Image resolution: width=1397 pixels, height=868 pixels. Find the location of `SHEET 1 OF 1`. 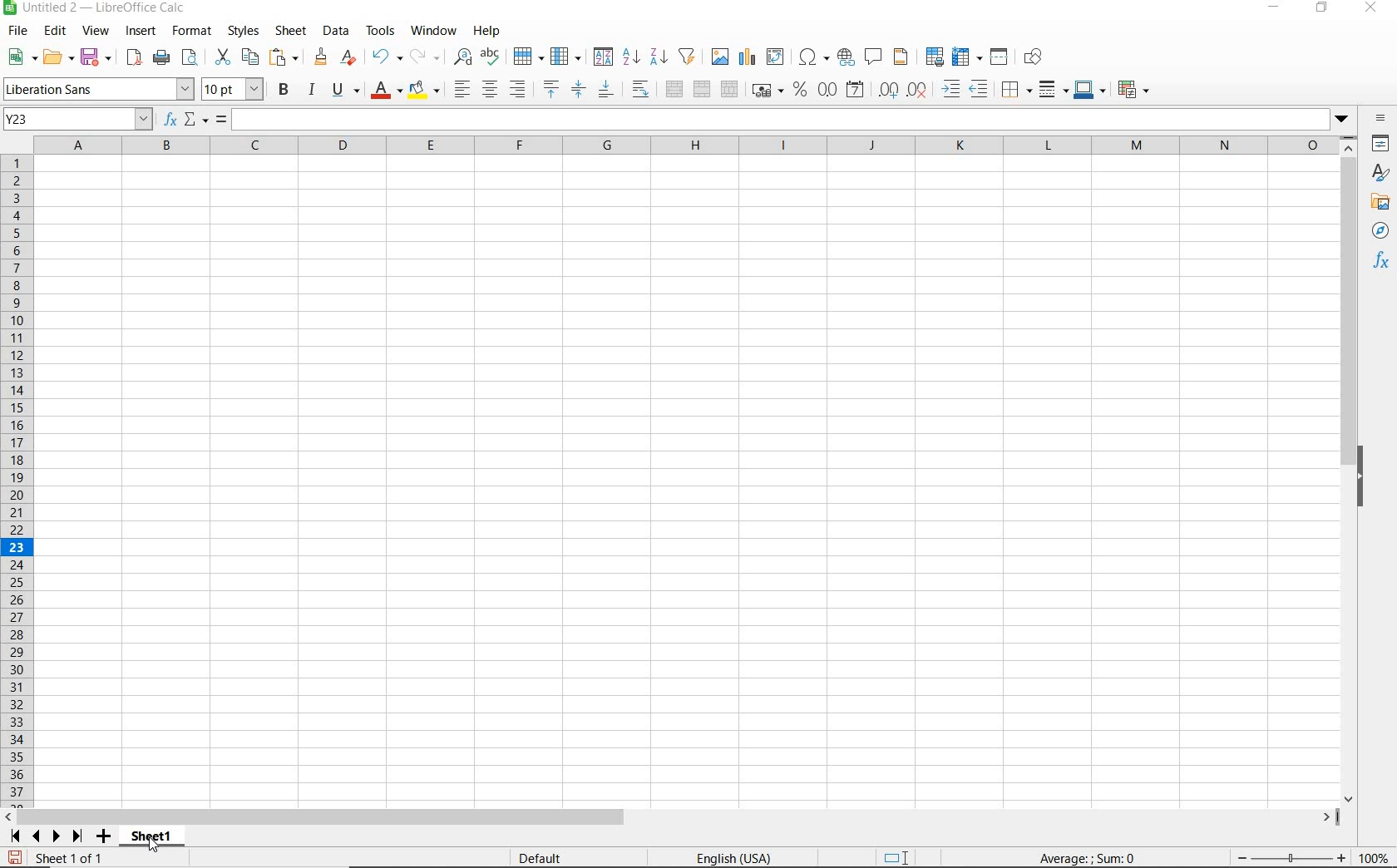

SHEET 1 OF 1 is located at coordinates (71, 860).